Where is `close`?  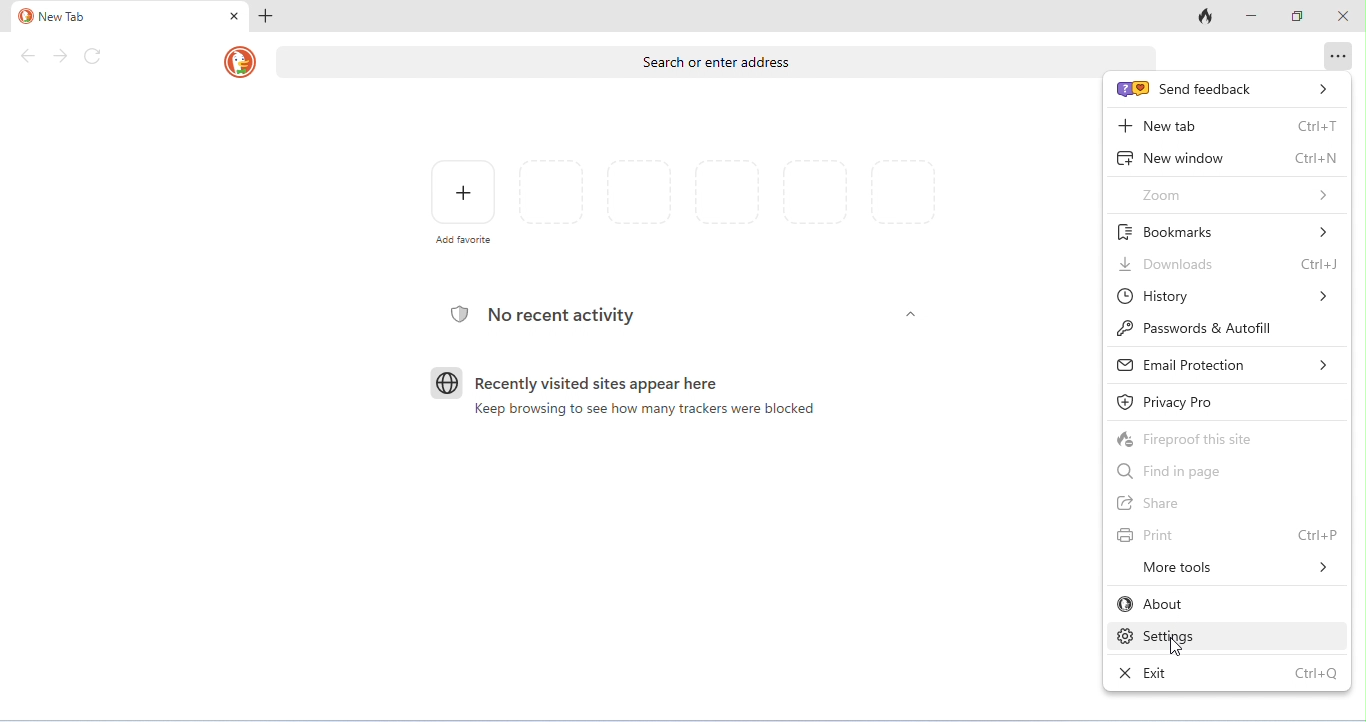 close is located at coordinates (1340, 14).